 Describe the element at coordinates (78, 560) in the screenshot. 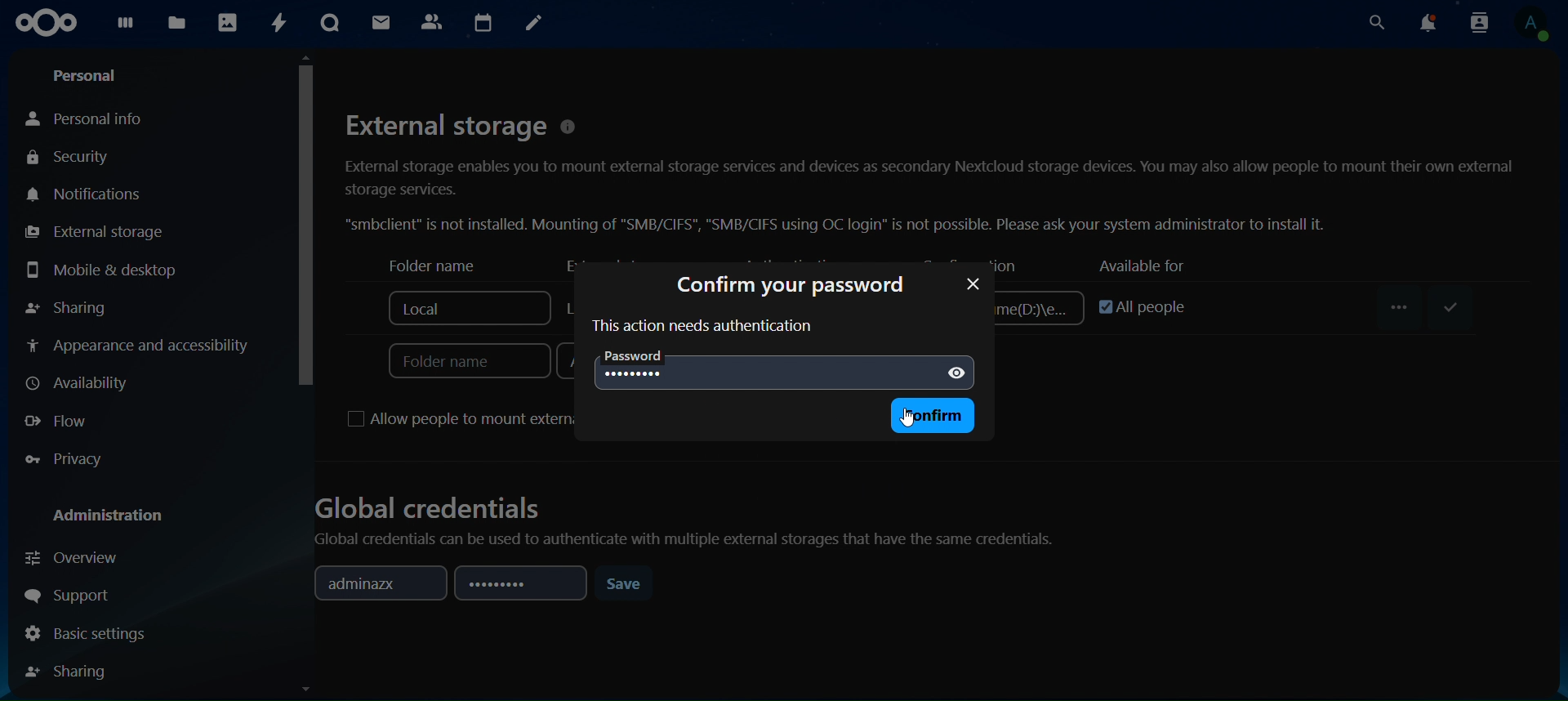

I see `overview` at that location.